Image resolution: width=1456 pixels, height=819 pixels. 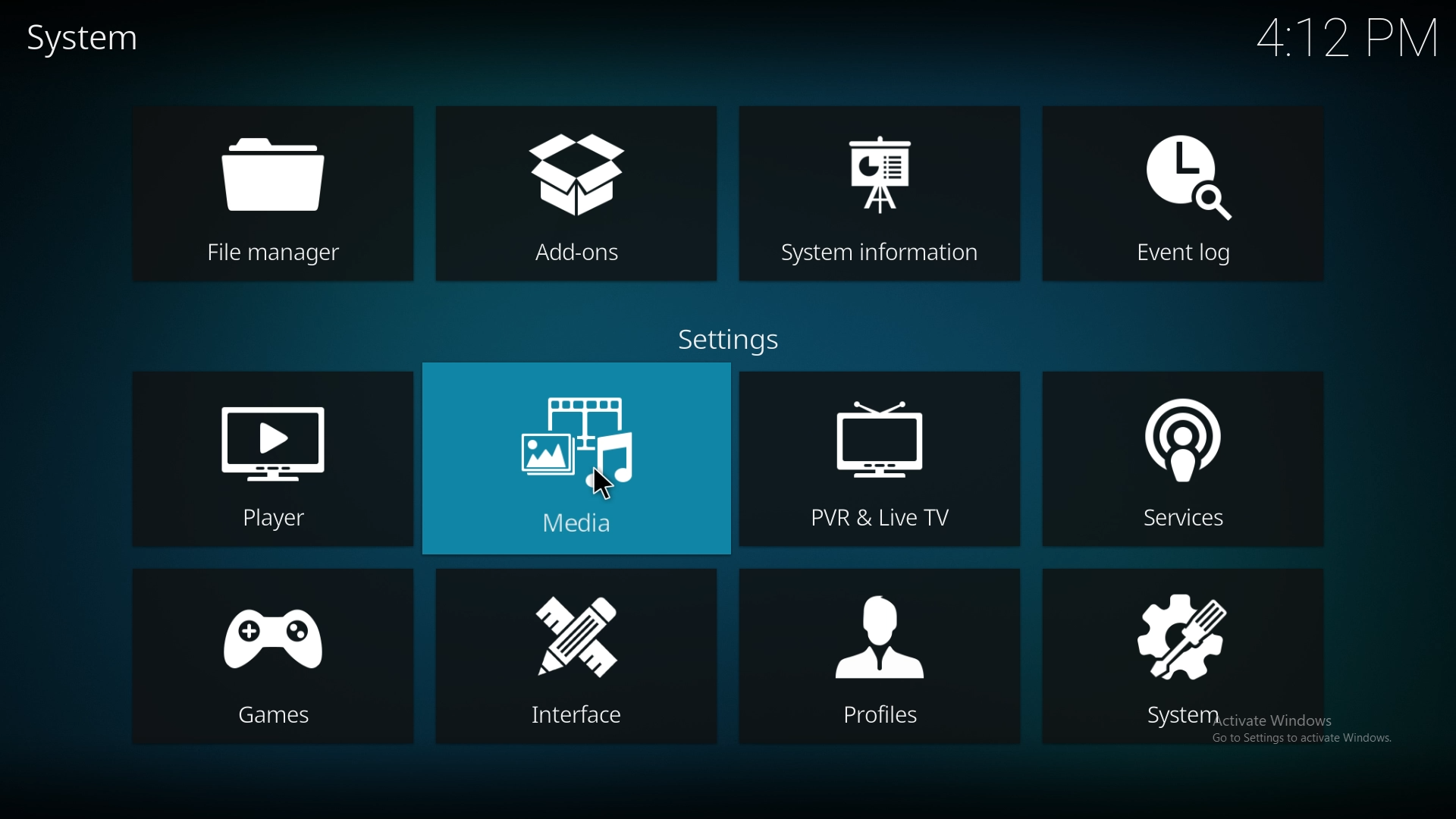 What do you see at coordinates (1181, 654) in the screenshot?
I see `system` at bounding box center [1181, 654].